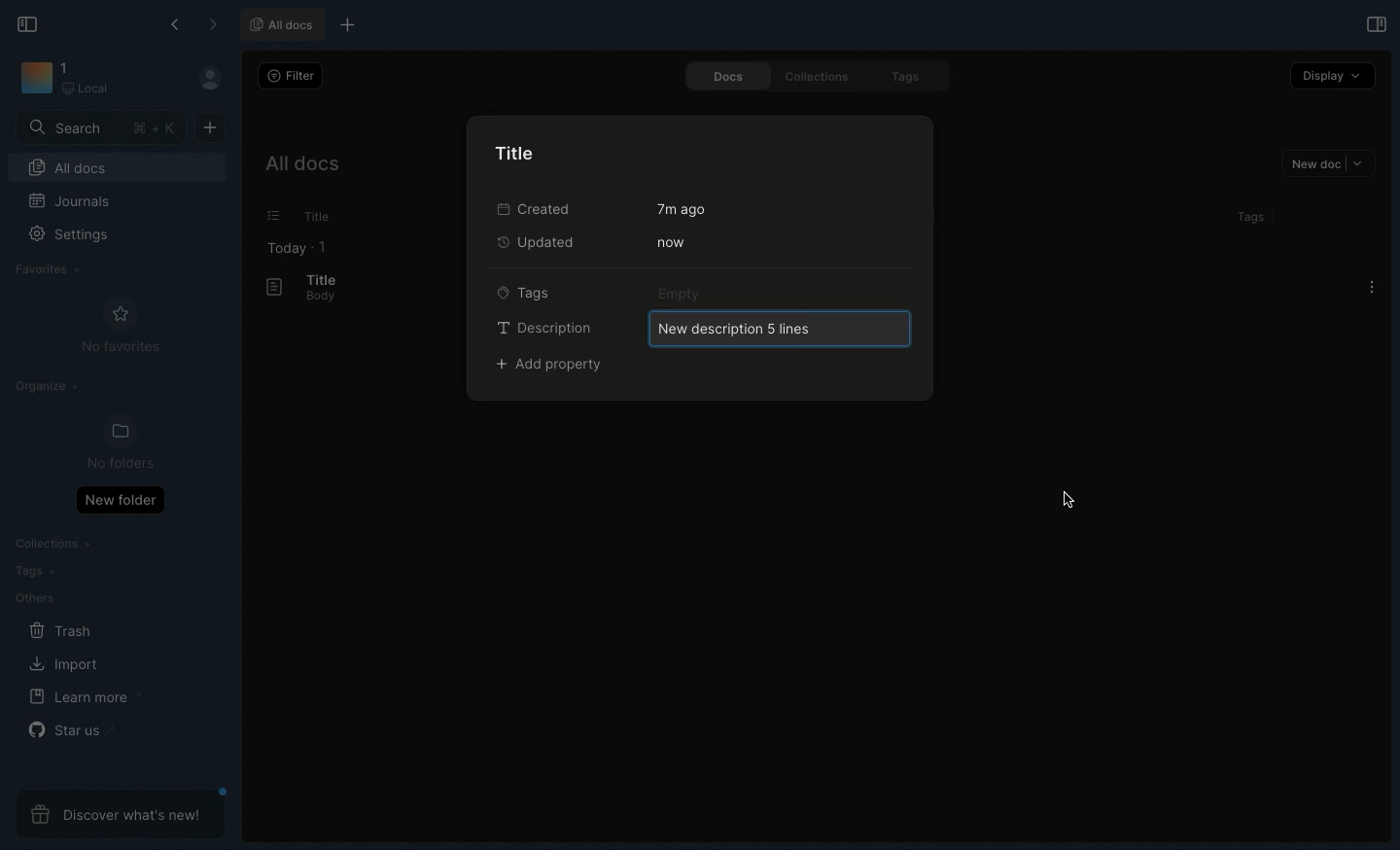  Describe the element at coordinates (1328, 165) in the screenshot. I see `New doc` at that location.